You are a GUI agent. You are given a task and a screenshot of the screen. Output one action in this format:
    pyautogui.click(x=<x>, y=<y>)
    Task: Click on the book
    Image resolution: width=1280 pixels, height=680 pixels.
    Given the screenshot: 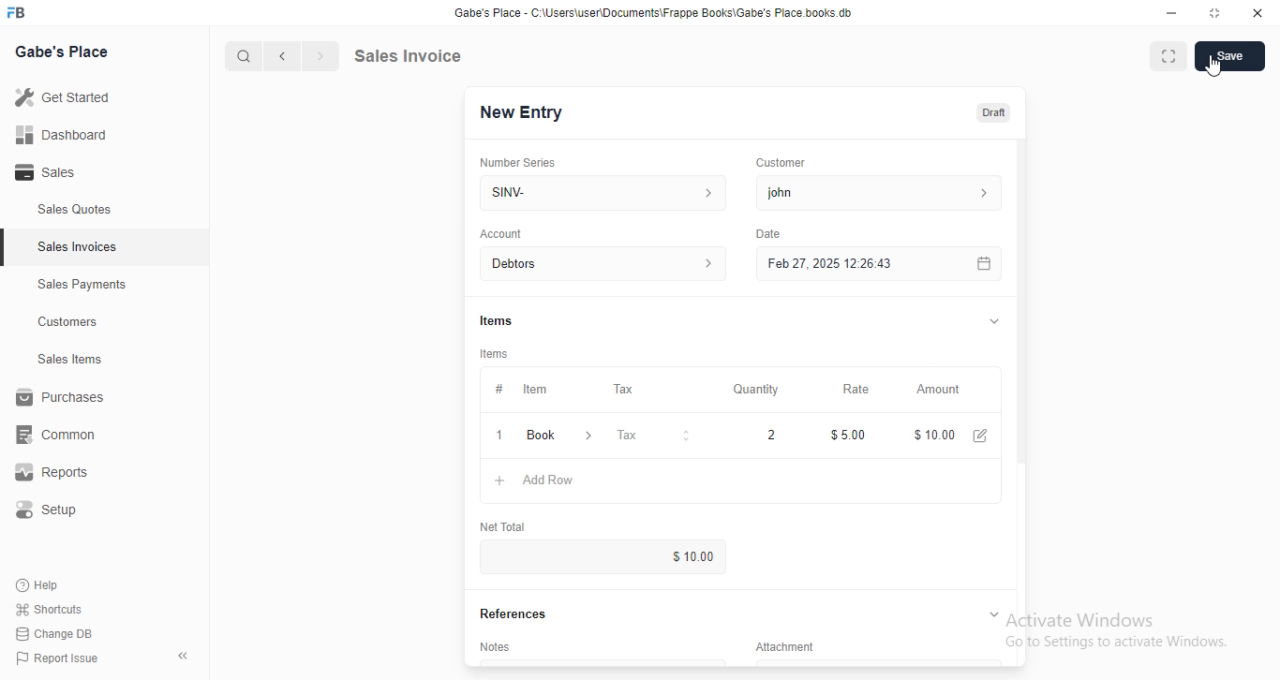 What is the action you would take?
    pyautogui.click(x=562, y=436)
    